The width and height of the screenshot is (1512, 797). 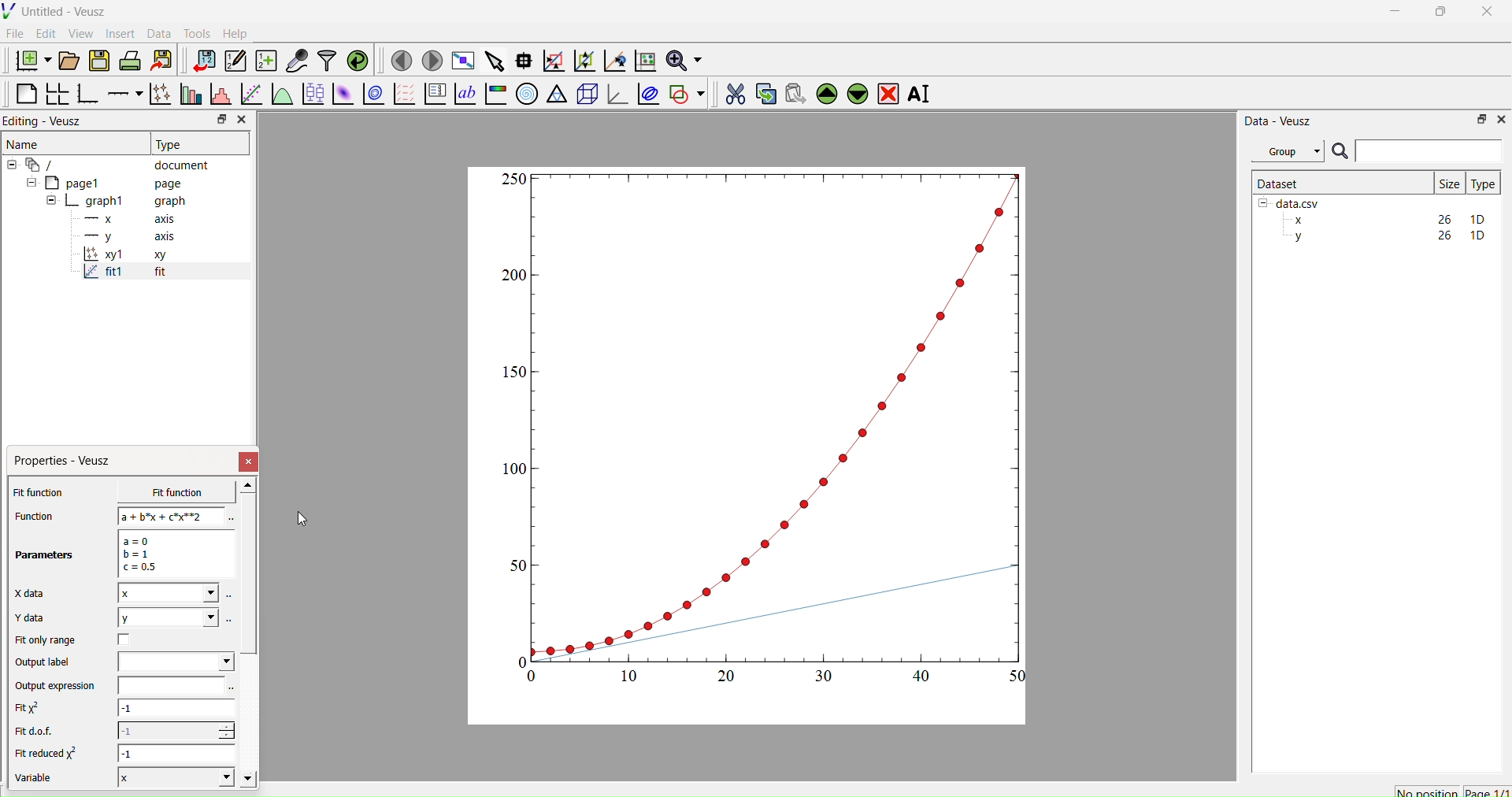 What do you see at coordinates (1395, 15) in the screenshot?
I see `Minimize` at bounding box center [1395, 15].